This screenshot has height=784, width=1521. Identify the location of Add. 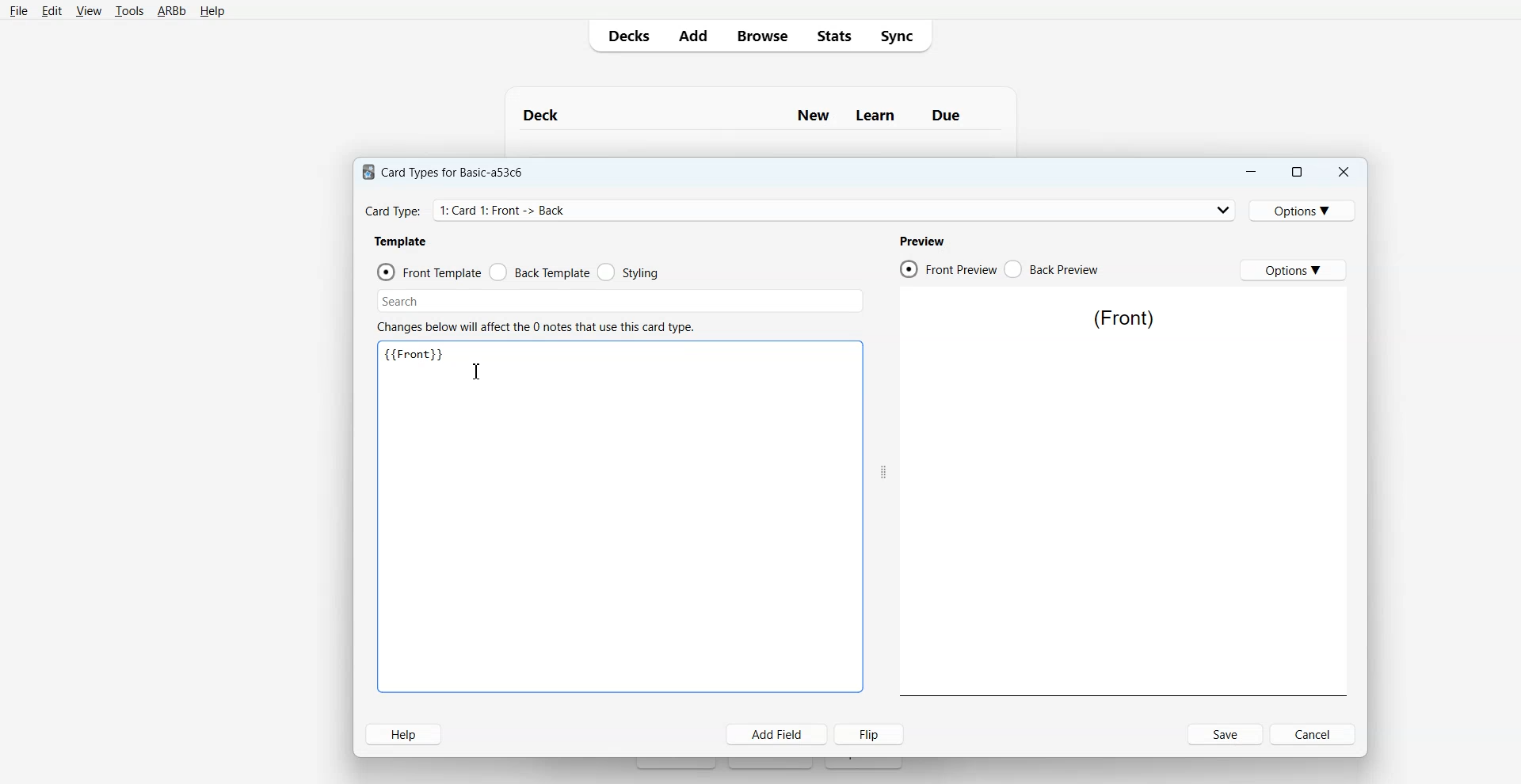
(692, 36).